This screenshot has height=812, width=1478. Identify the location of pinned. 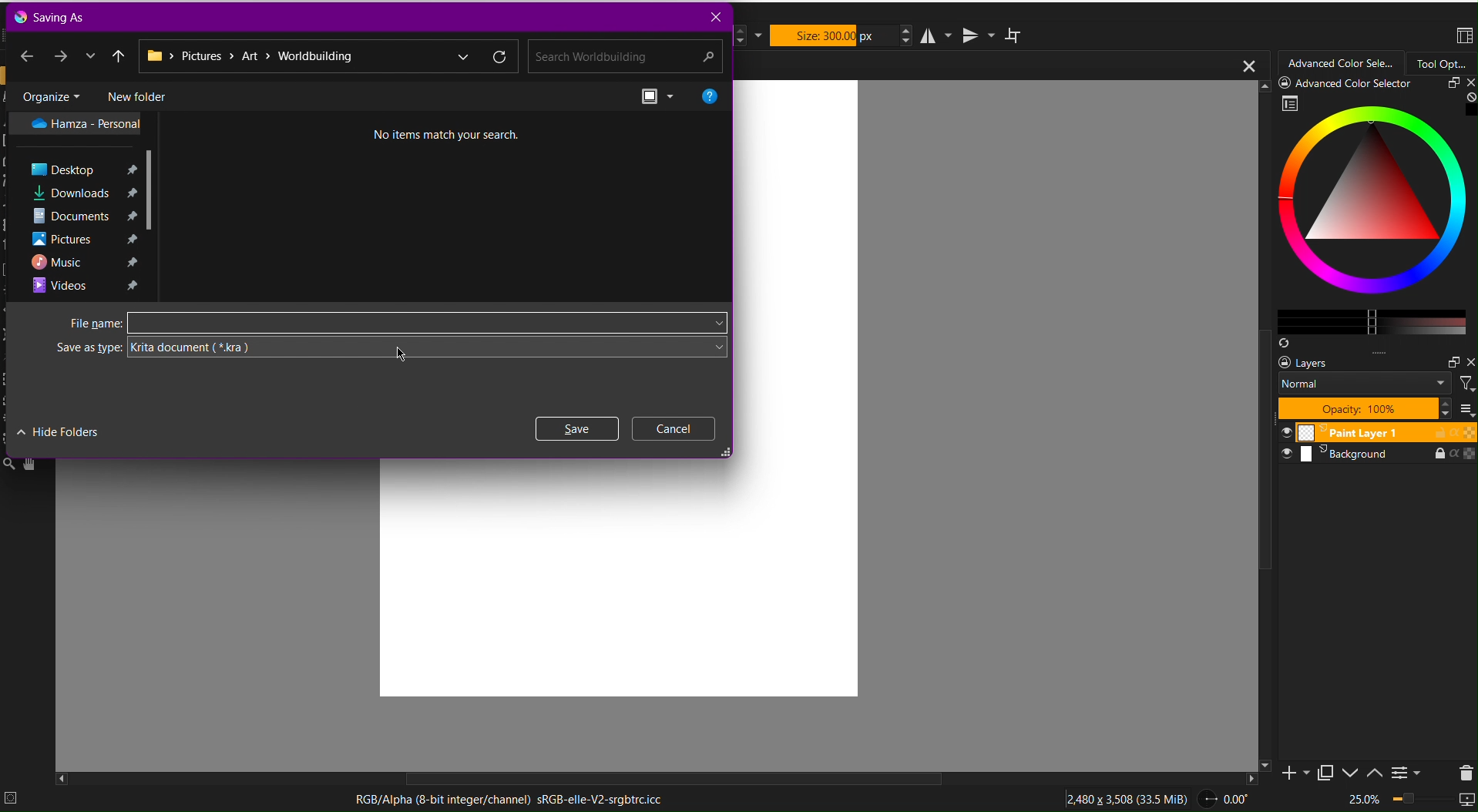
(131, 169).